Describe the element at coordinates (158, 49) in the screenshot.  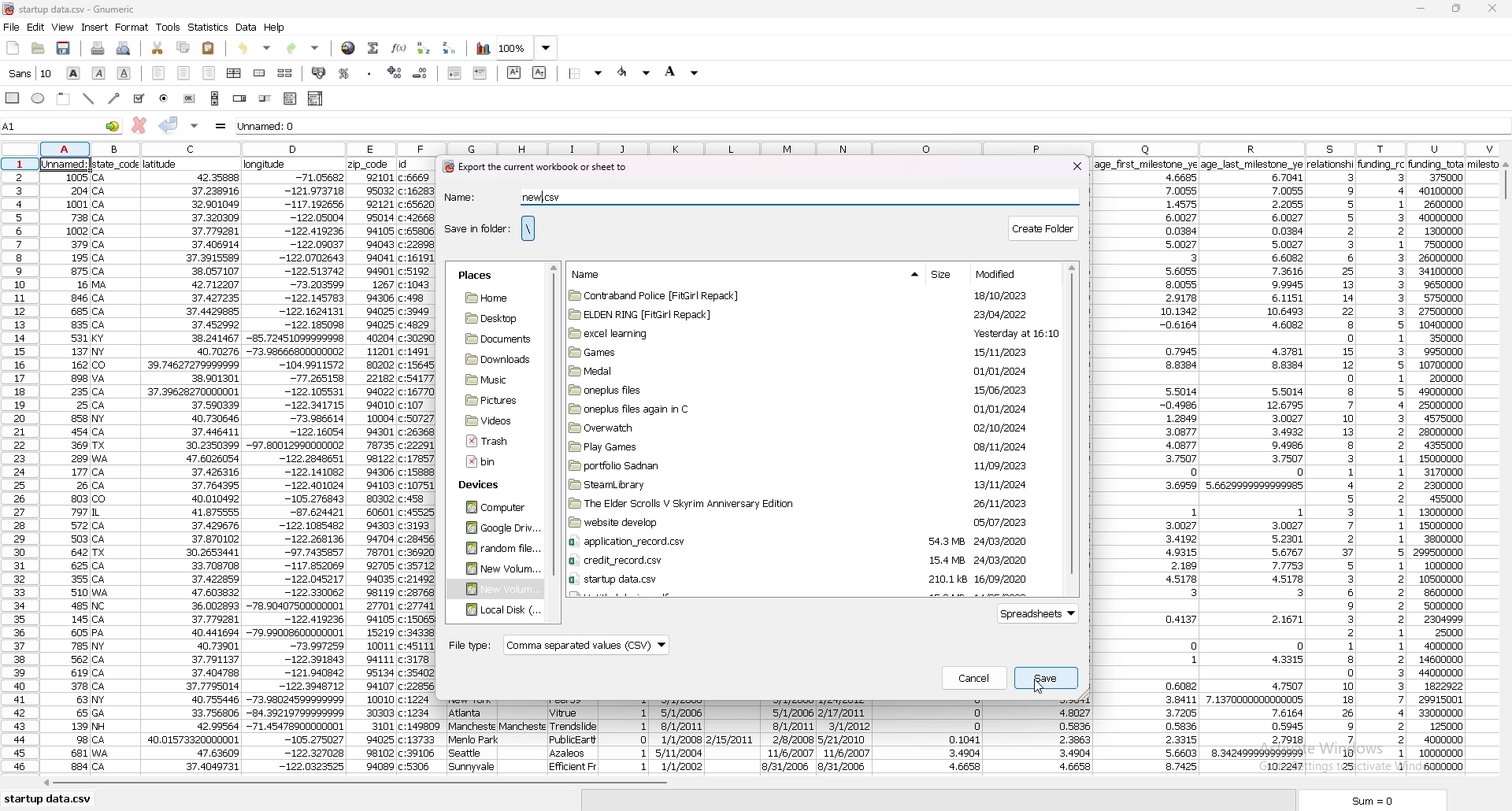
I see `cut` at that location.